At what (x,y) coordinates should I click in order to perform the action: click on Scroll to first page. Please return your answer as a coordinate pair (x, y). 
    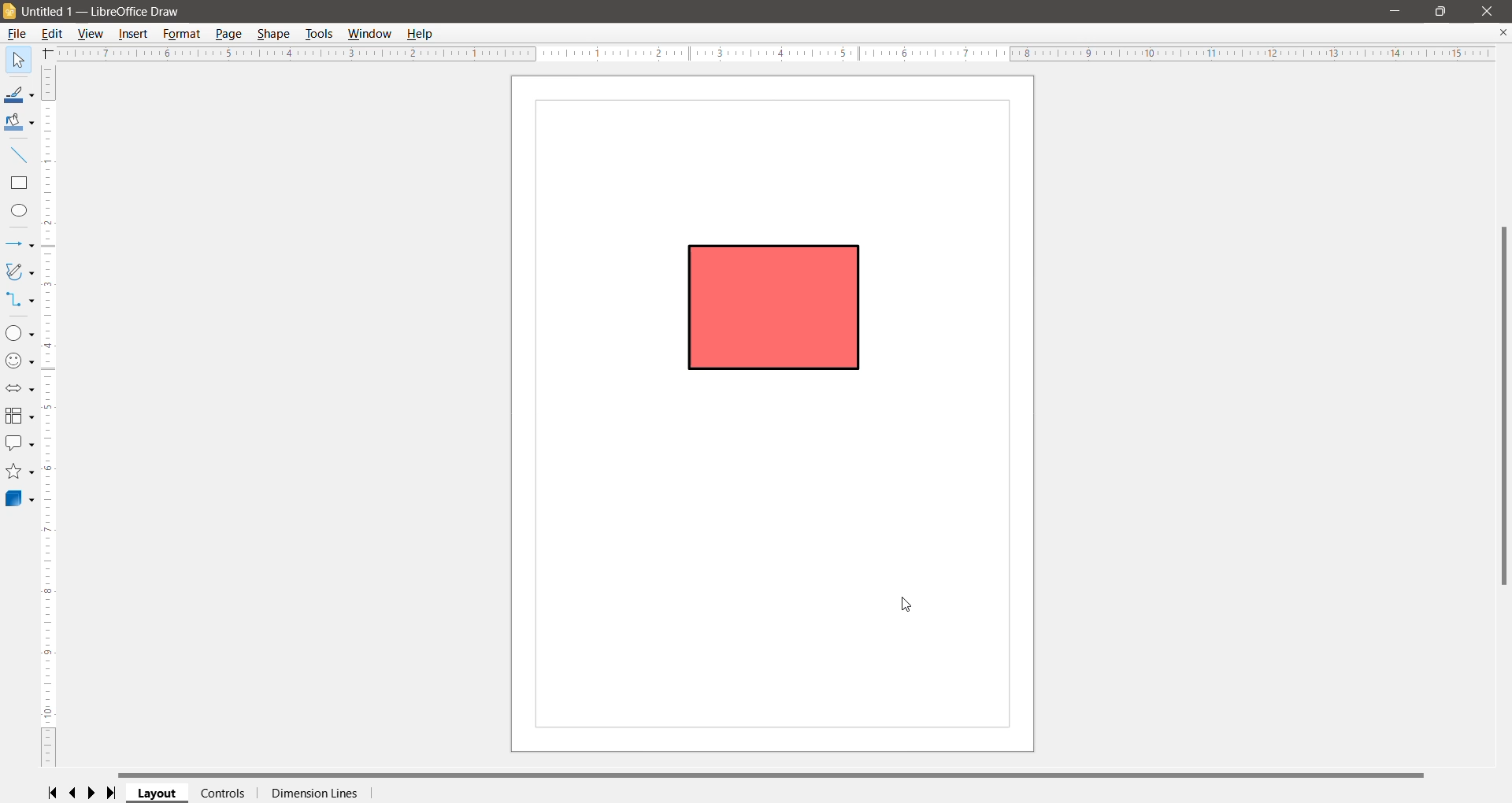
    Looking at the image, I should click on (54, 793).